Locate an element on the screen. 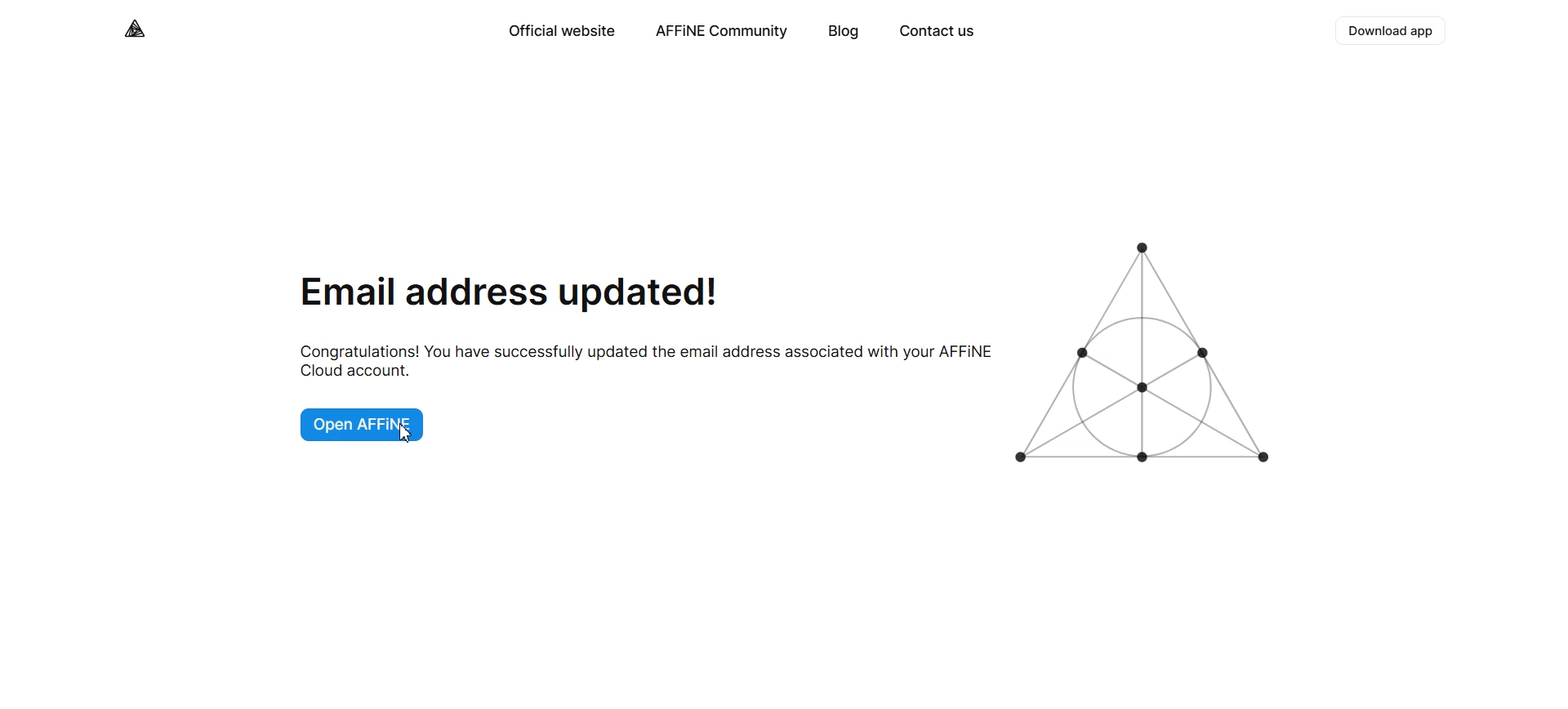  Open AFFiNE  is located at coordinates (366, 423).